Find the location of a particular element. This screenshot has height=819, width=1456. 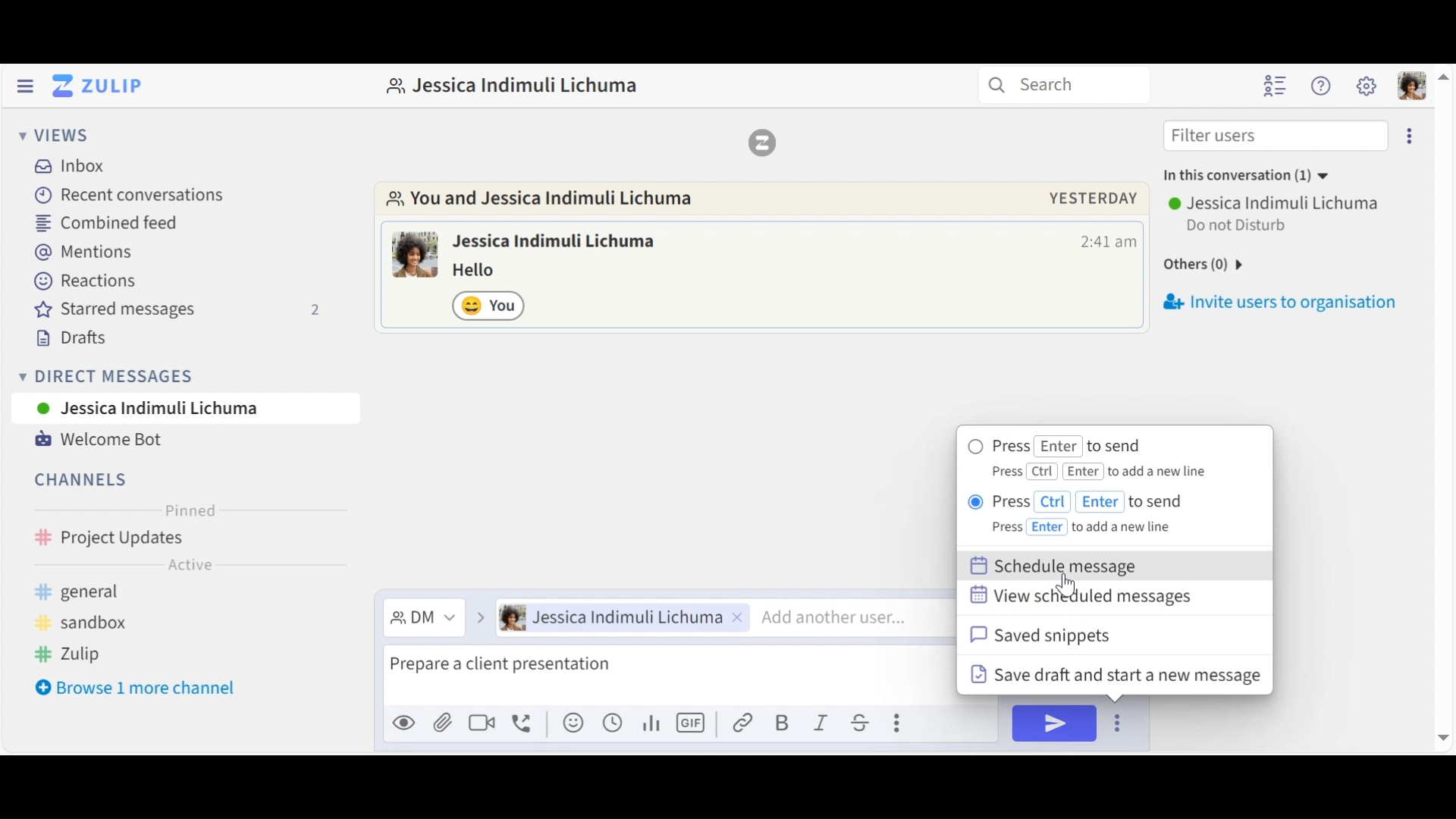

Invite users to organisation is located at coordinates (1285, 299).